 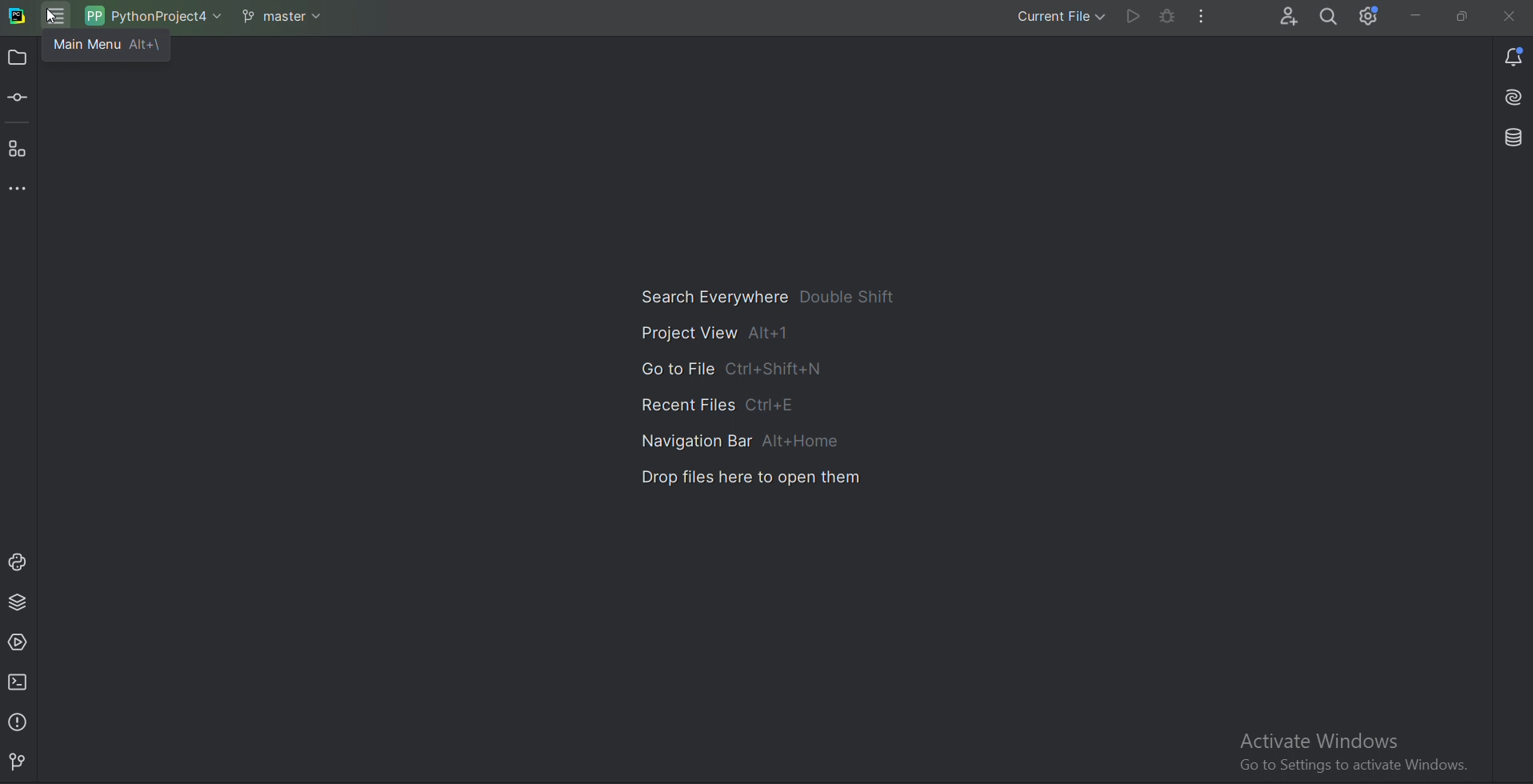 I want to click on Drop files here to open them, so click(x=755, y=477).